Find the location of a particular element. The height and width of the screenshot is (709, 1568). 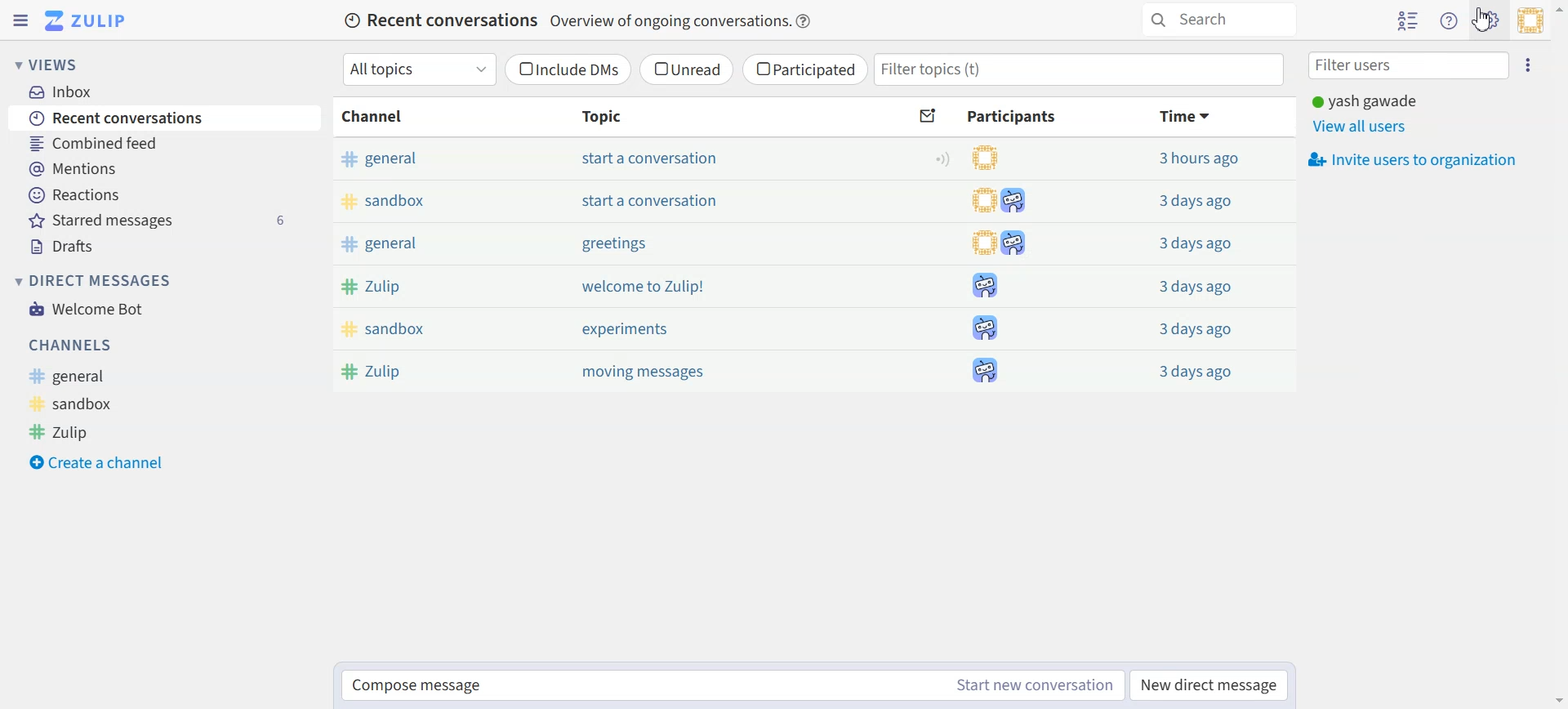

Filter topics(t) is located at coordinates (1080, 69).